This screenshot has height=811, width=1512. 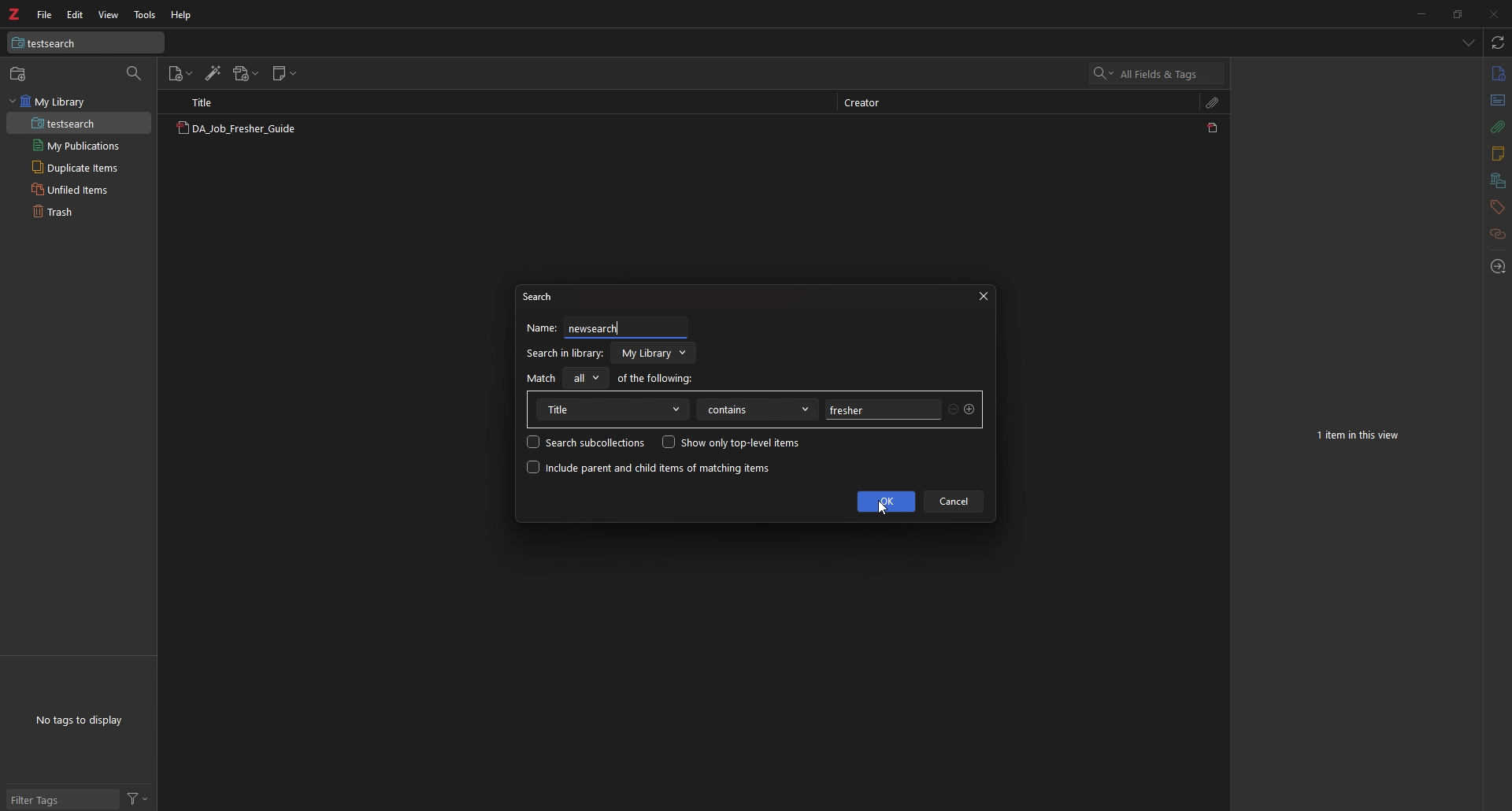 I want to click on title, so click(x=210, y=102).